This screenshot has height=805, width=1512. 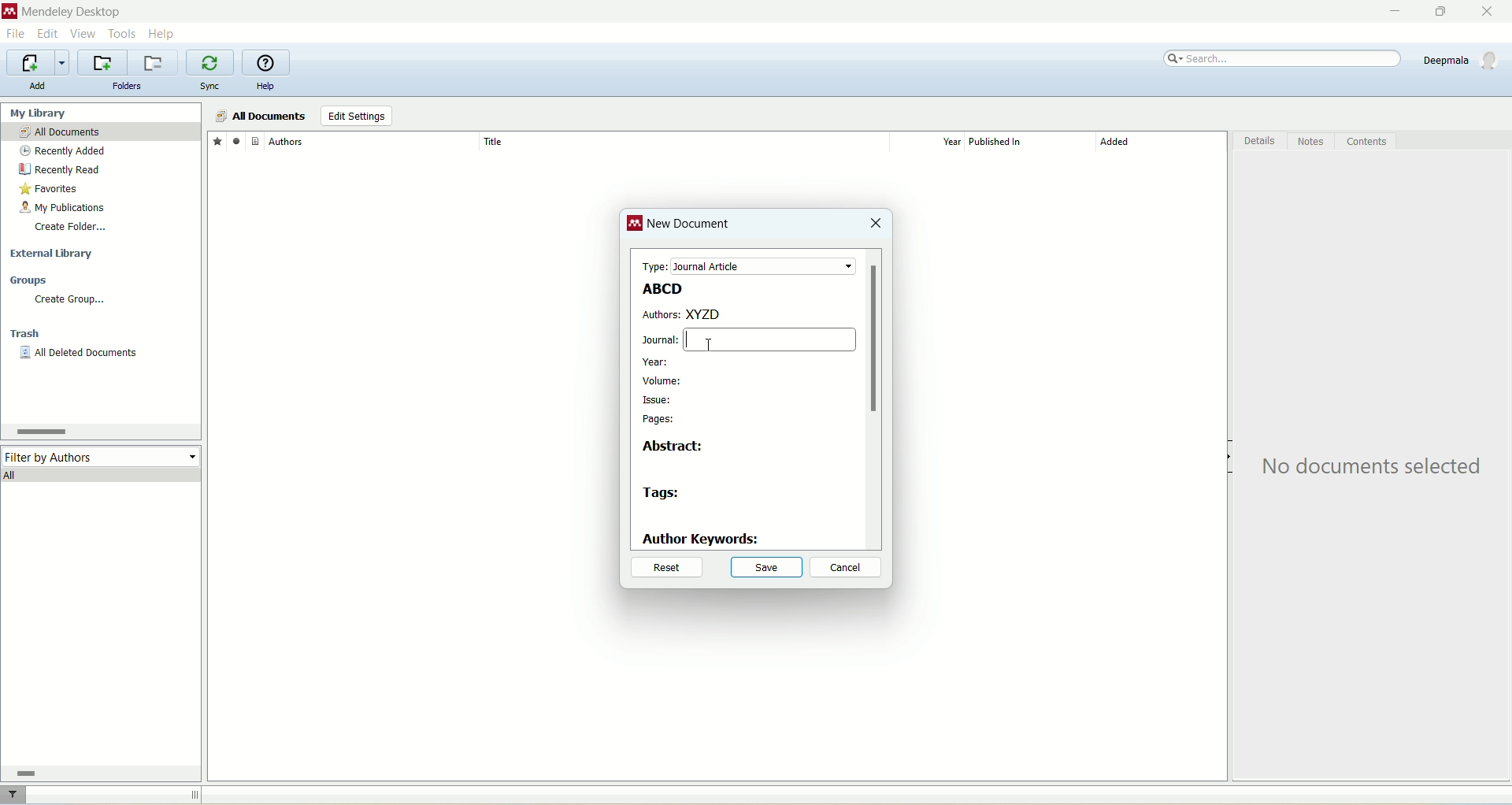 What do you see at coordinates (1284, 59) in the screenshot?
I see `search` at bounding box center [1284, 59].